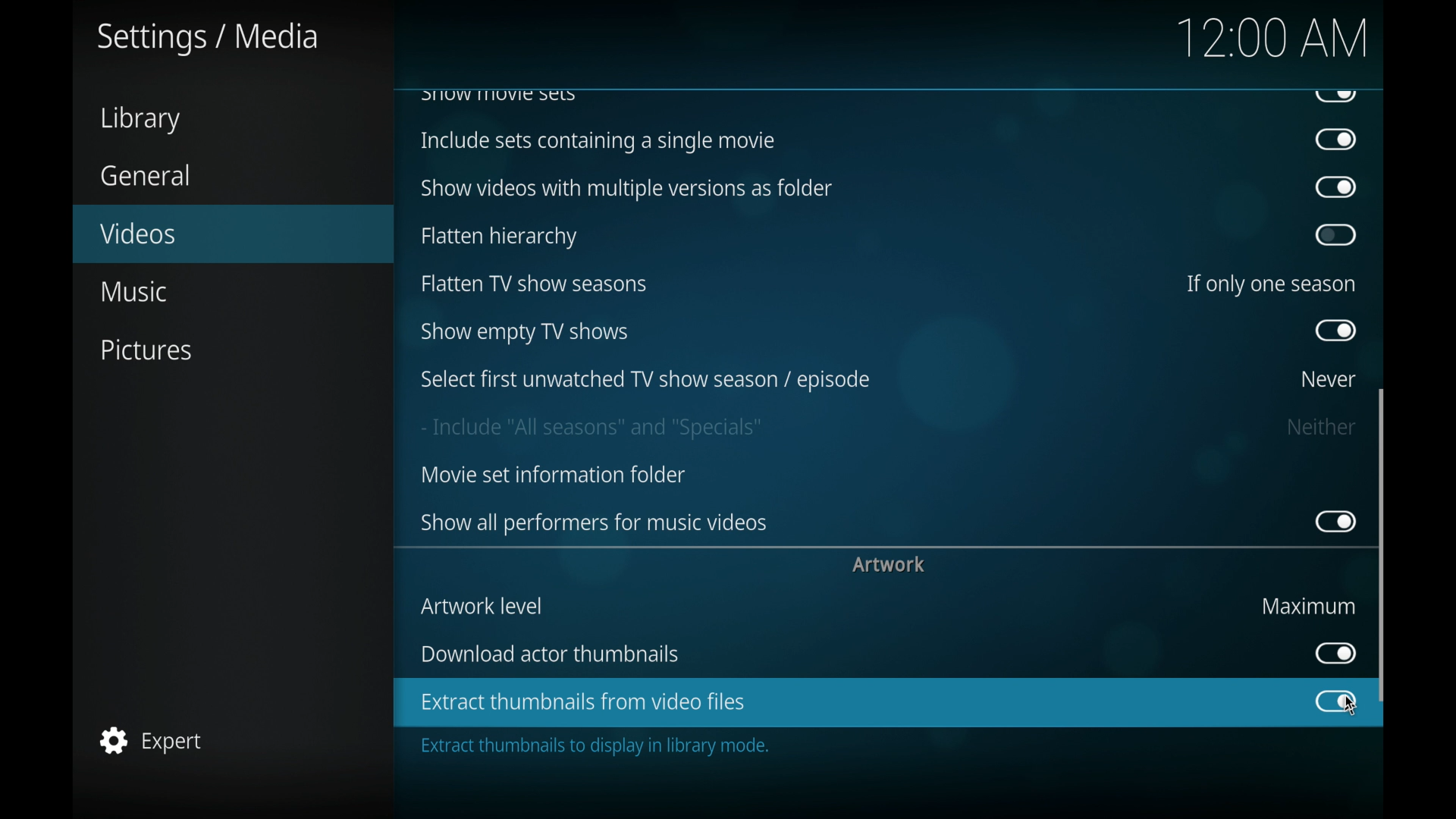 This screenshot has height=819, width=1456. Describe the element at coordinates (140, 232) in the screenshot. I see `videos` at that location.